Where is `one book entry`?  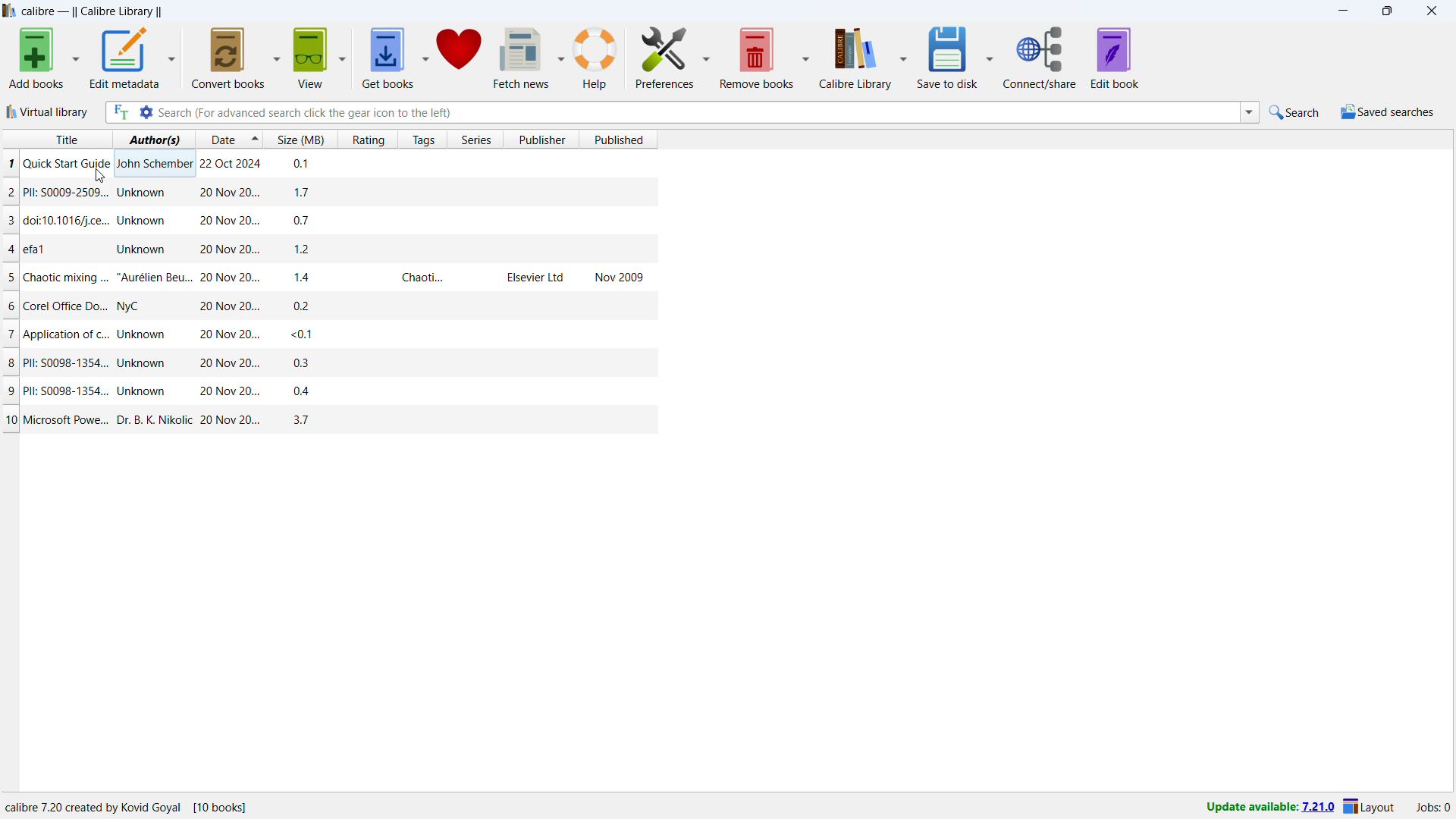
one book entry is located at coordinates (327, 163).